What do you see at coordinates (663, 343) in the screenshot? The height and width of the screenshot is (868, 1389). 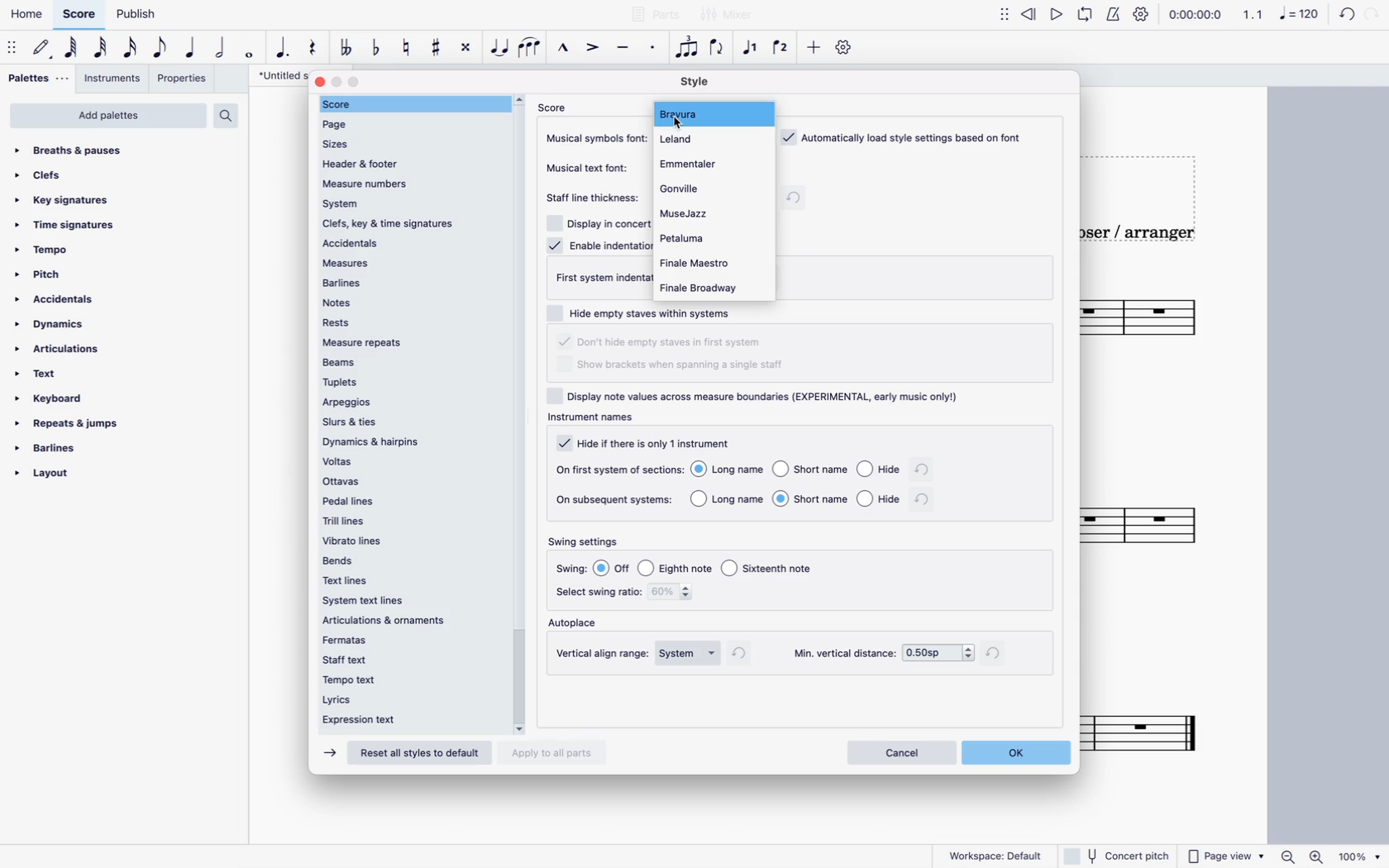 I see `hide empty staves` at bounding box center [663, 343].